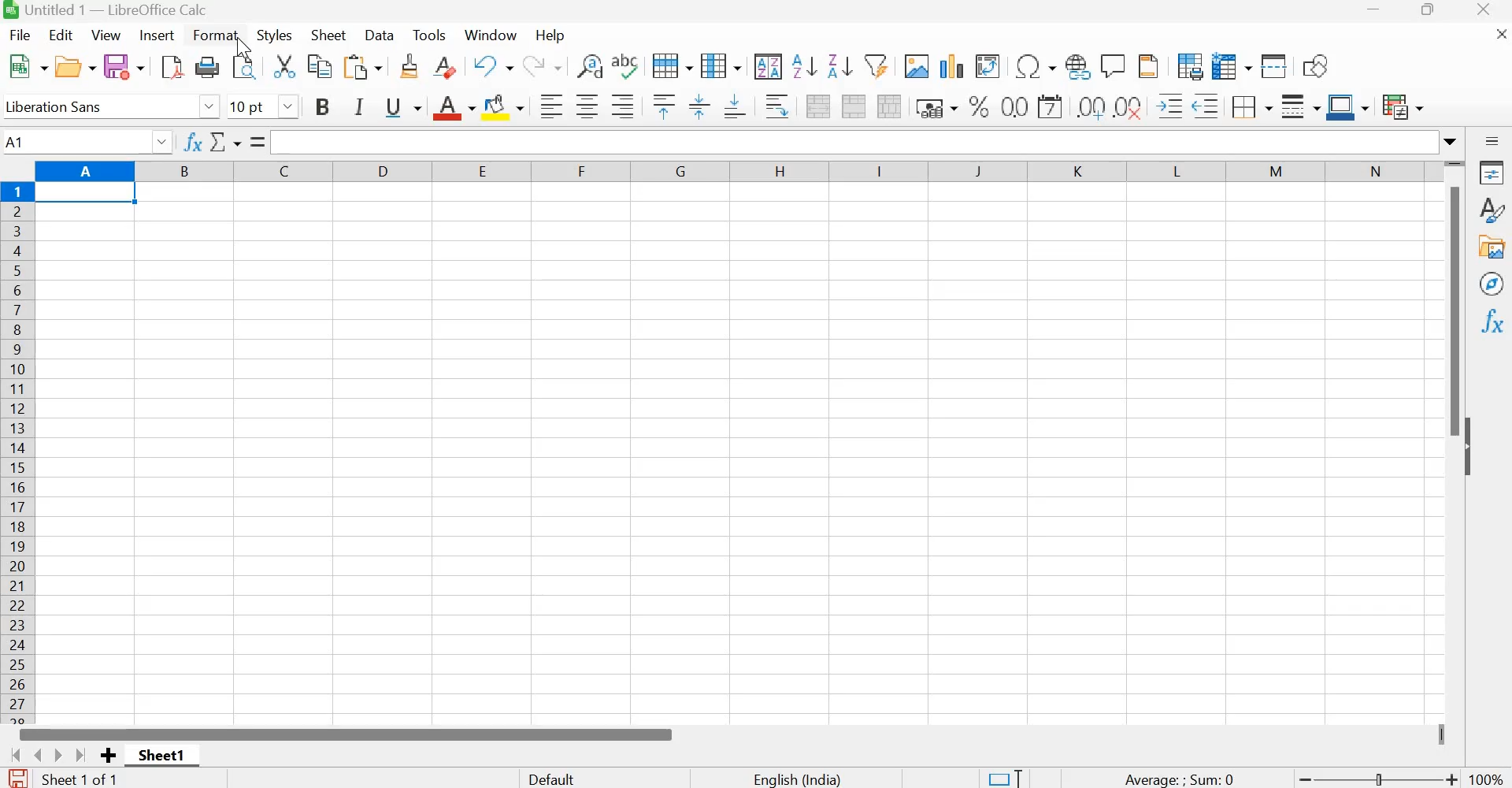 The height and width of the screenshot is (788, 1512). What do you see at coordinates (91, 779) in the screenshot?
I see `Sheet 1 of 1` at bounding box center [91, 779].